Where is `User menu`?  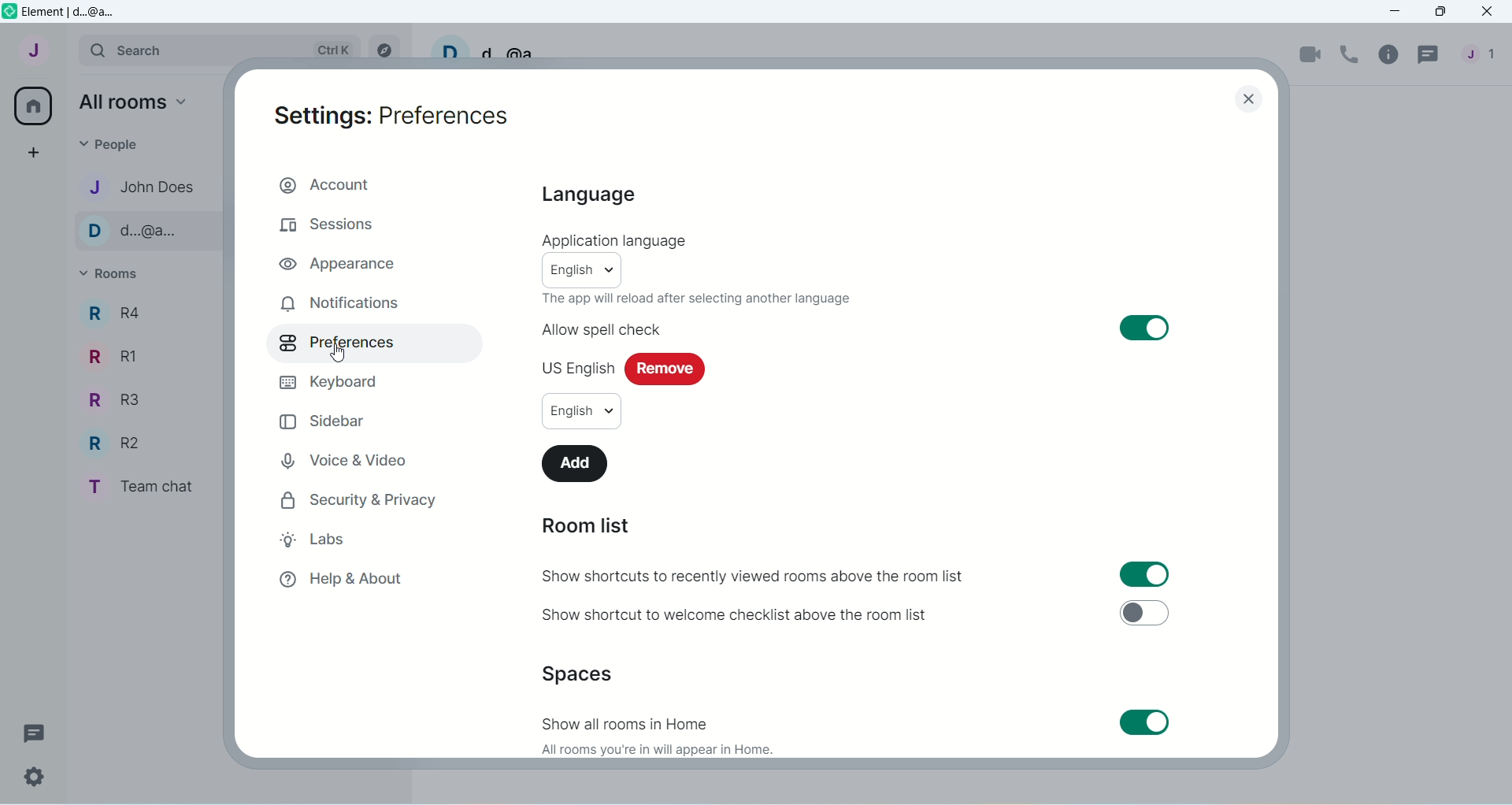 User menu is located at coordinates (30, 56).